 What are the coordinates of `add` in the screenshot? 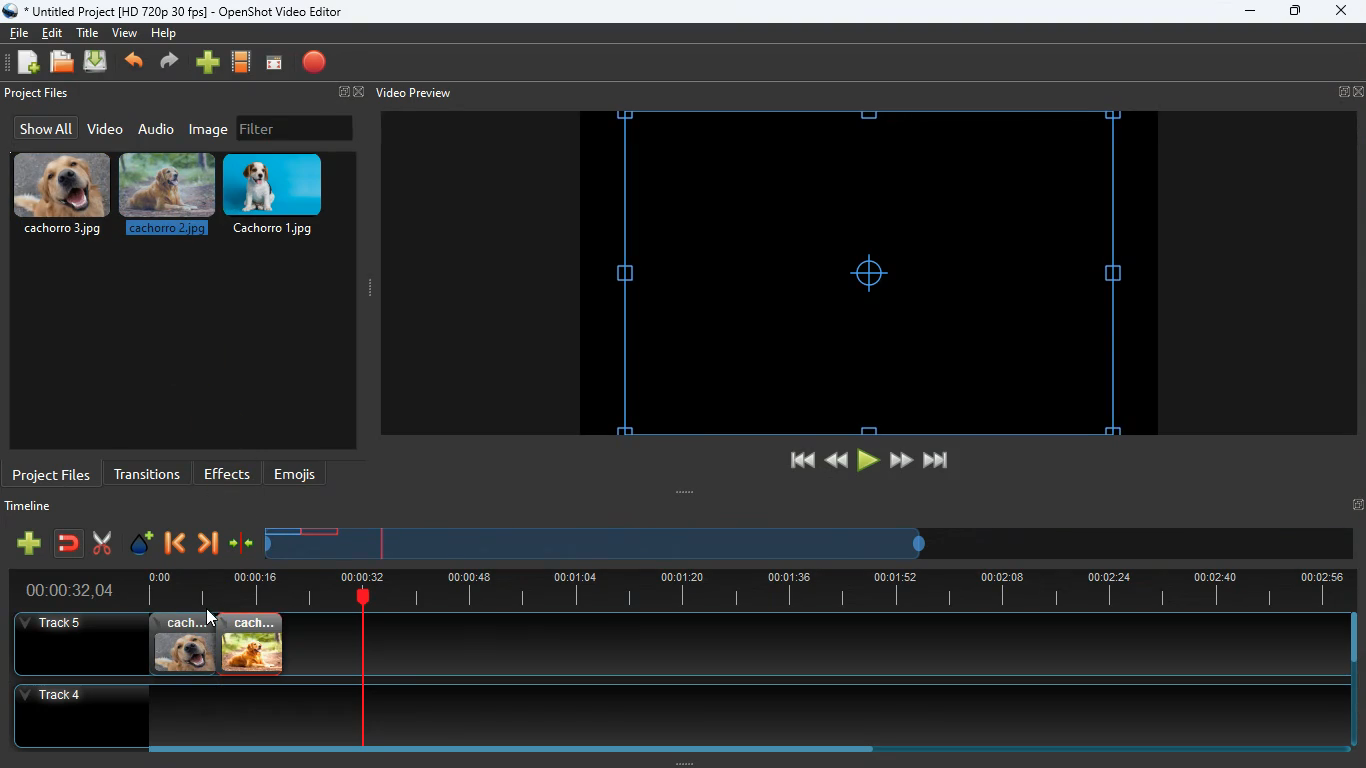 It's located at (28, 543).